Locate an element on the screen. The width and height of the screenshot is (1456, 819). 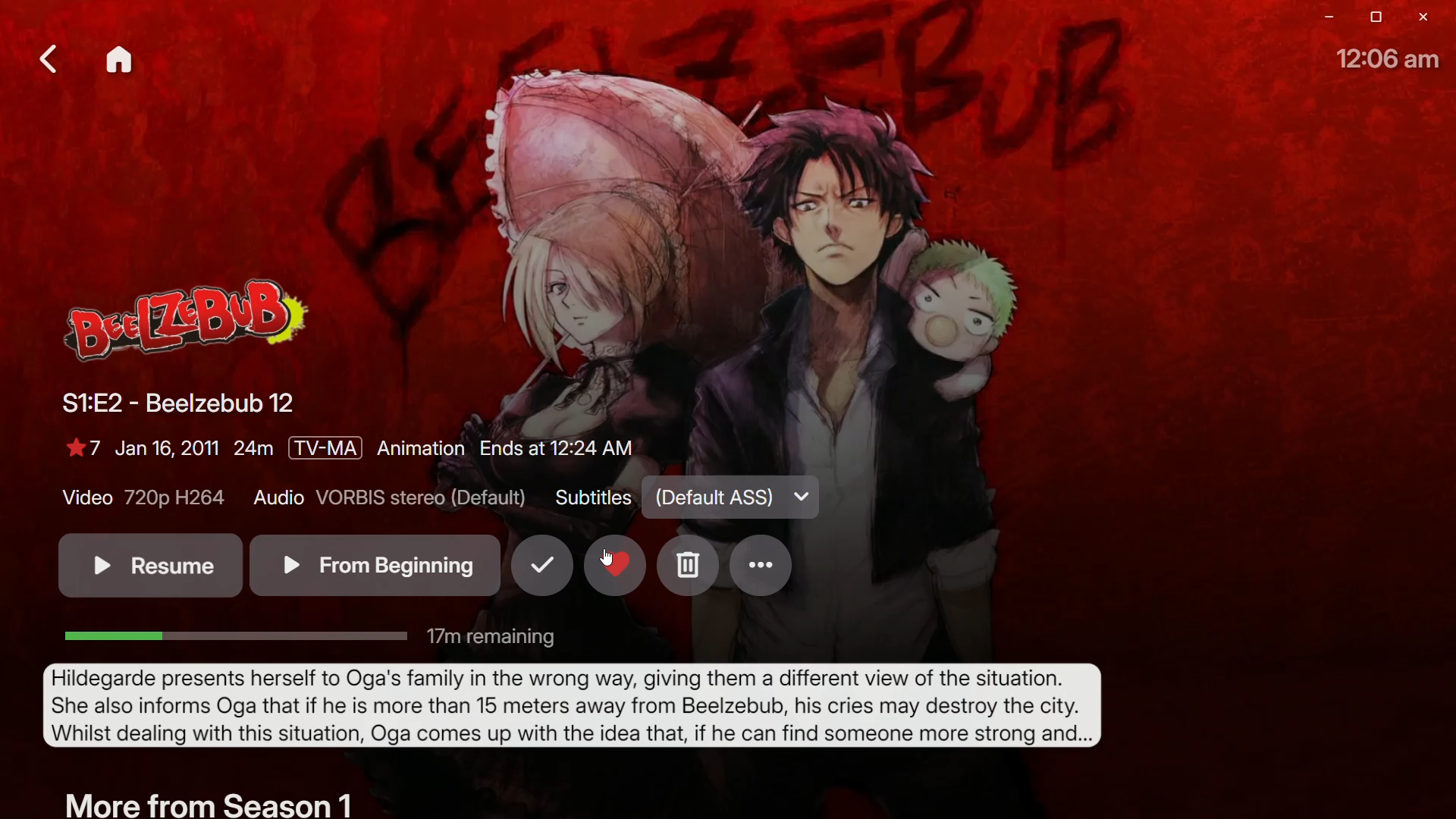
restore is located at coordinates (1368, 17).